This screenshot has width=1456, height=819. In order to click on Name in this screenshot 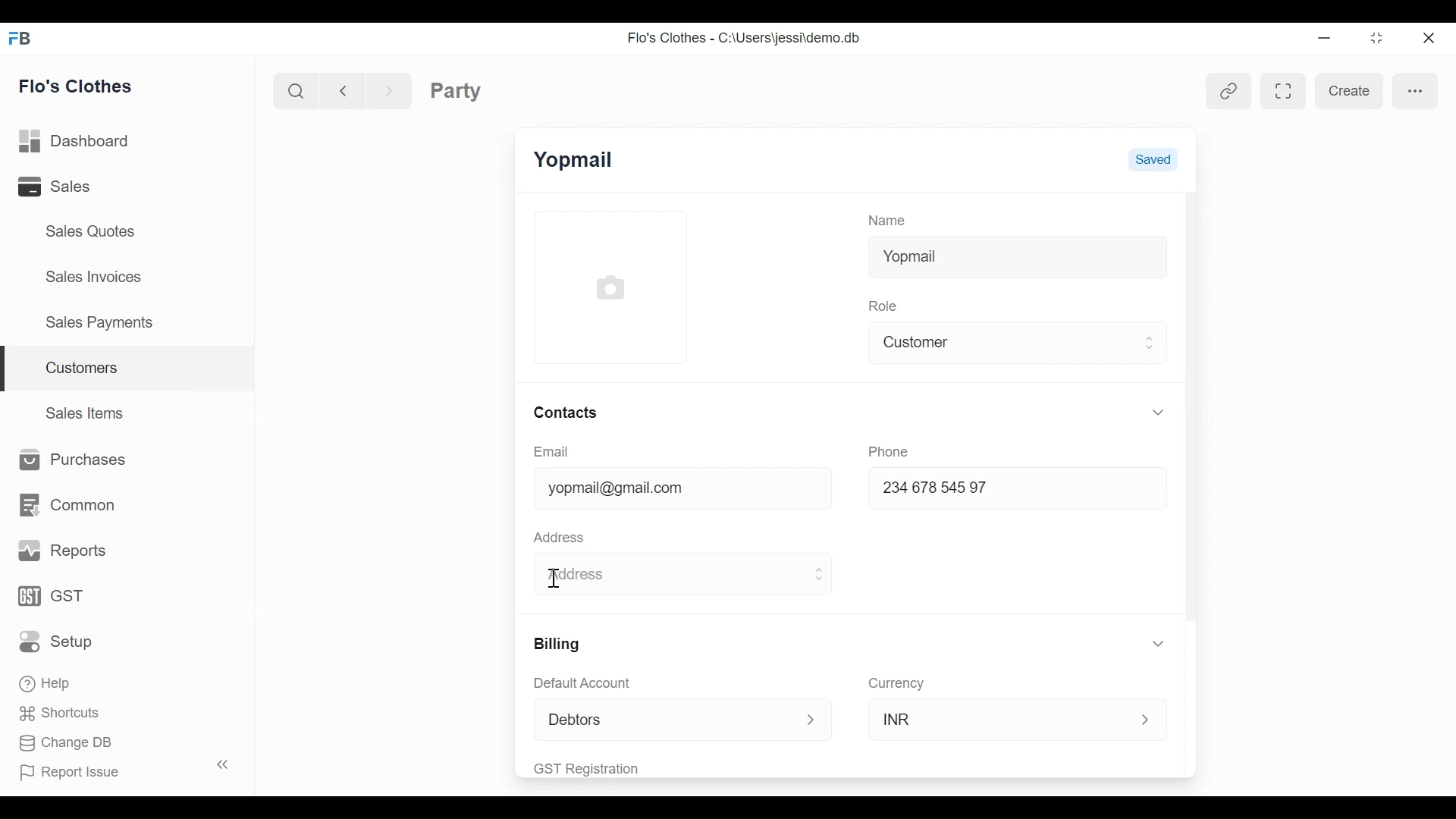, I will do `click(889, 221)`.